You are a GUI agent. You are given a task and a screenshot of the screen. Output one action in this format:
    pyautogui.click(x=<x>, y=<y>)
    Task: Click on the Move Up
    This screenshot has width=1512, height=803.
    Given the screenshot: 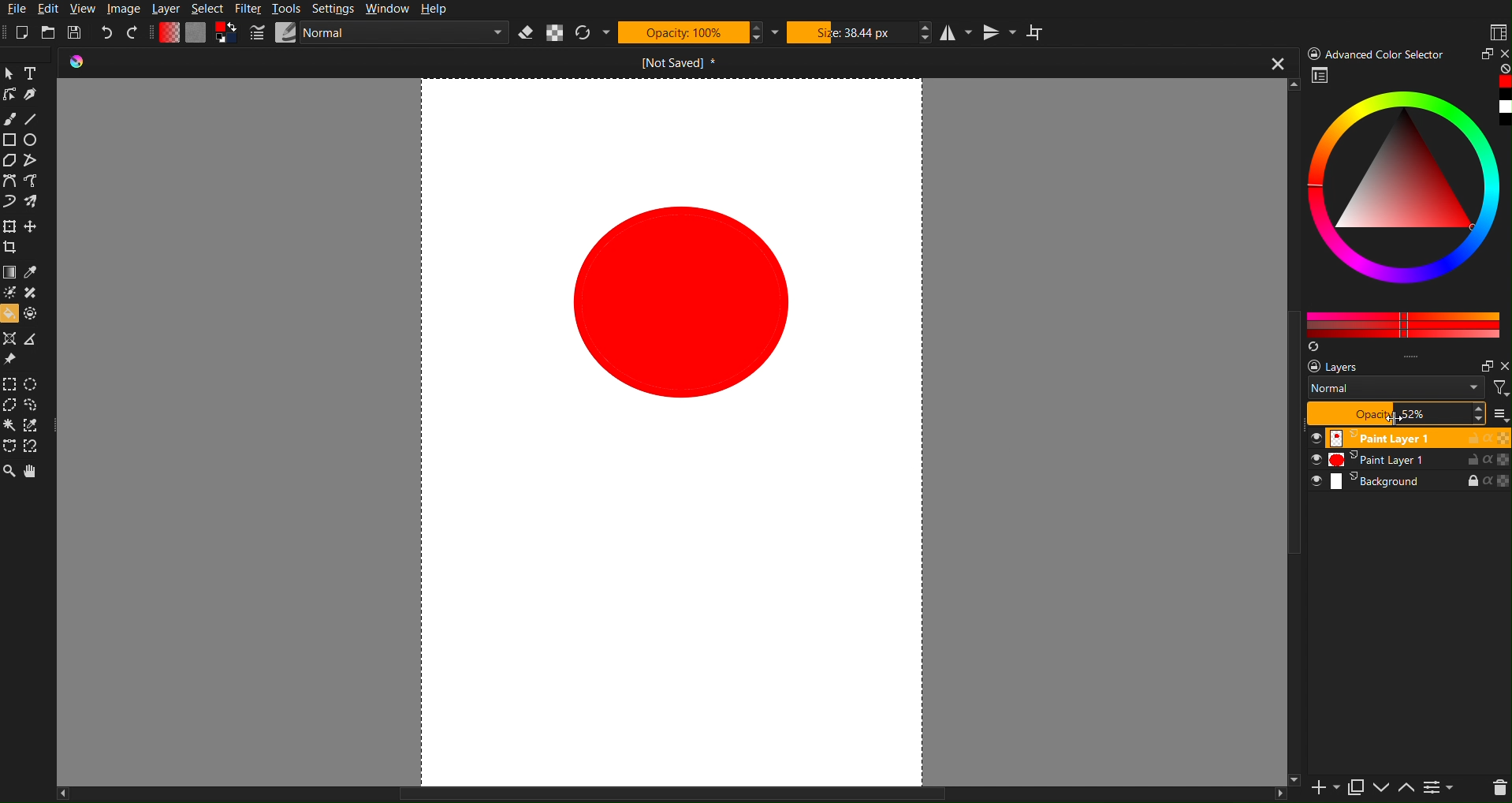 What is the action you would take?
    pyautogui.click(x=1382, y=791)
    